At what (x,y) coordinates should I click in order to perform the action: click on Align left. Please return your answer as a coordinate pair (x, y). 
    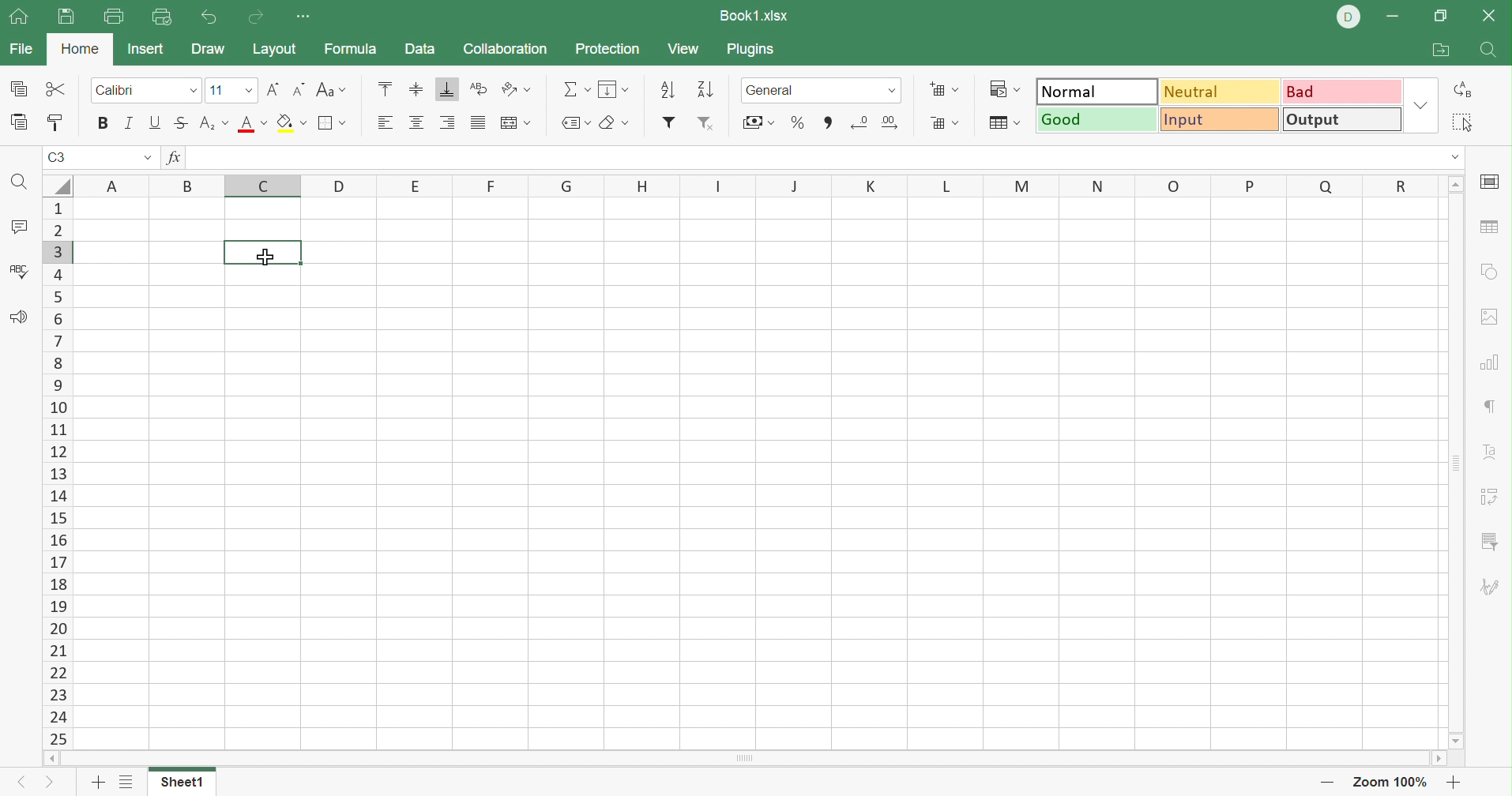
    Looking at the image, I should click on (385, 122).